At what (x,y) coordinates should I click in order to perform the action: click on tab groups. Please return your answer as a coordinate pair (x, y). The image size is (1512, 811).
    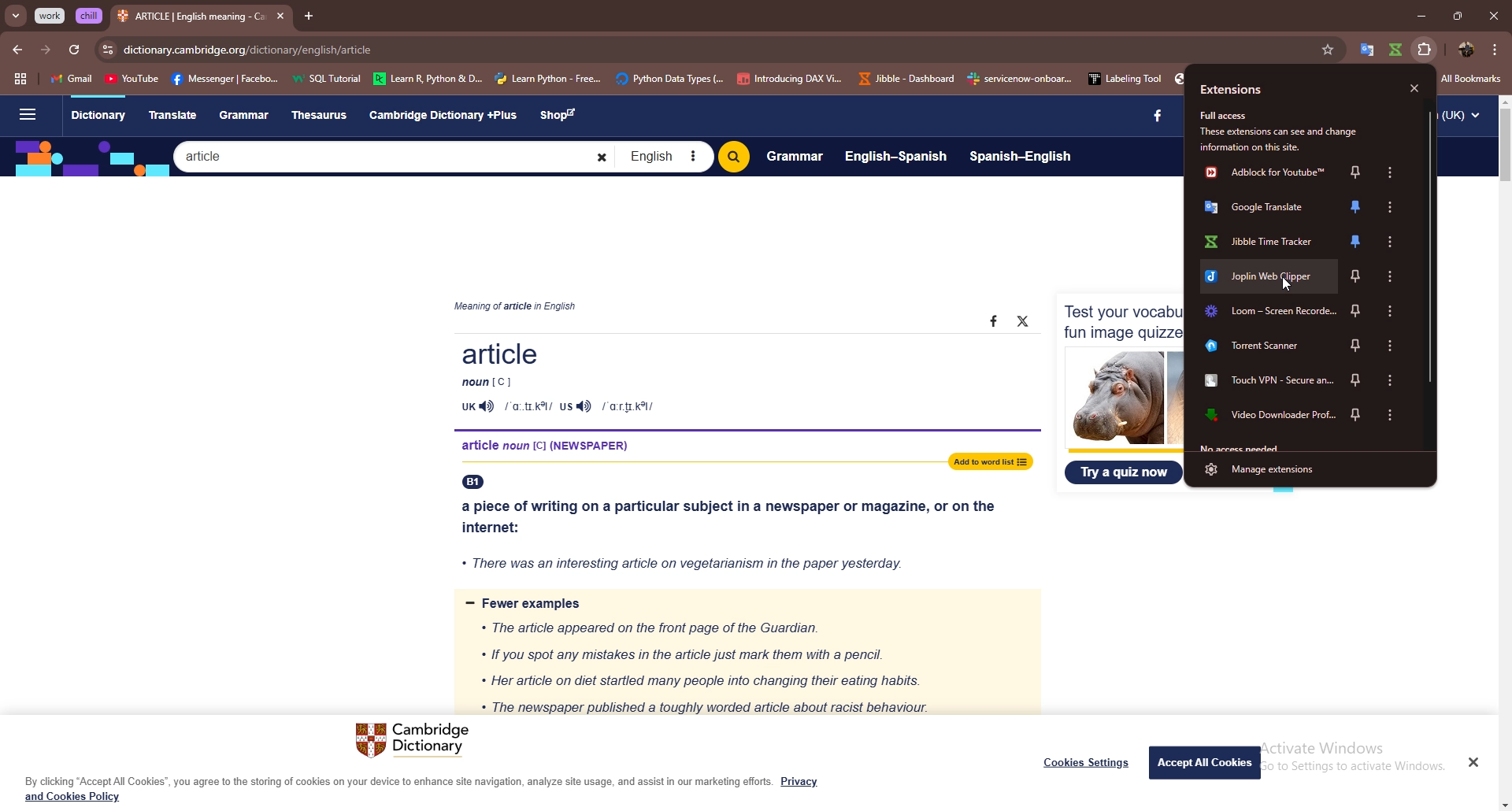
    Looking at the image, I should click on (20, 80).